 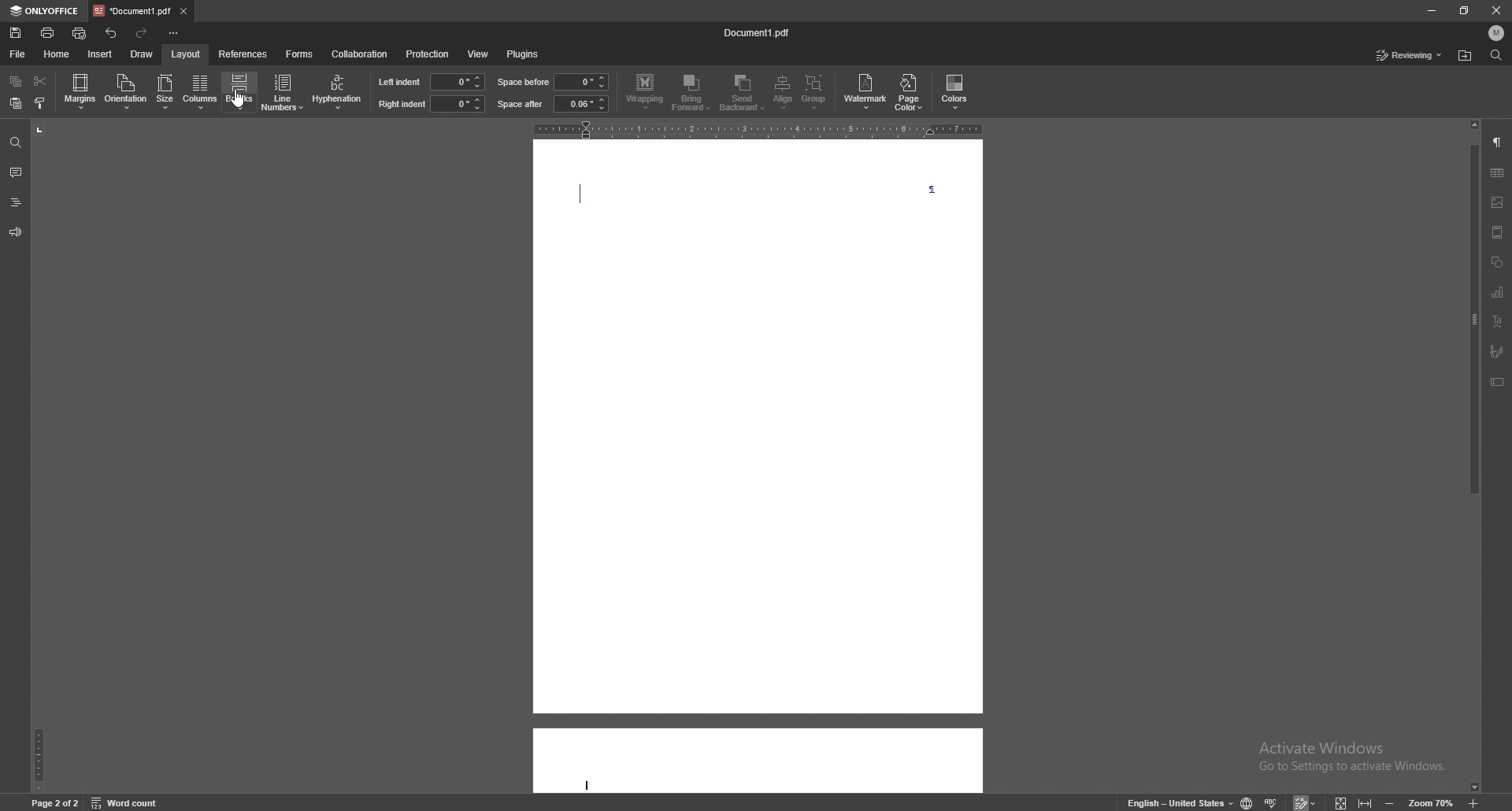 What do you see at coordinates (428, 54) in the screenshot?
I see `protection` at bounding box center [428, 54].